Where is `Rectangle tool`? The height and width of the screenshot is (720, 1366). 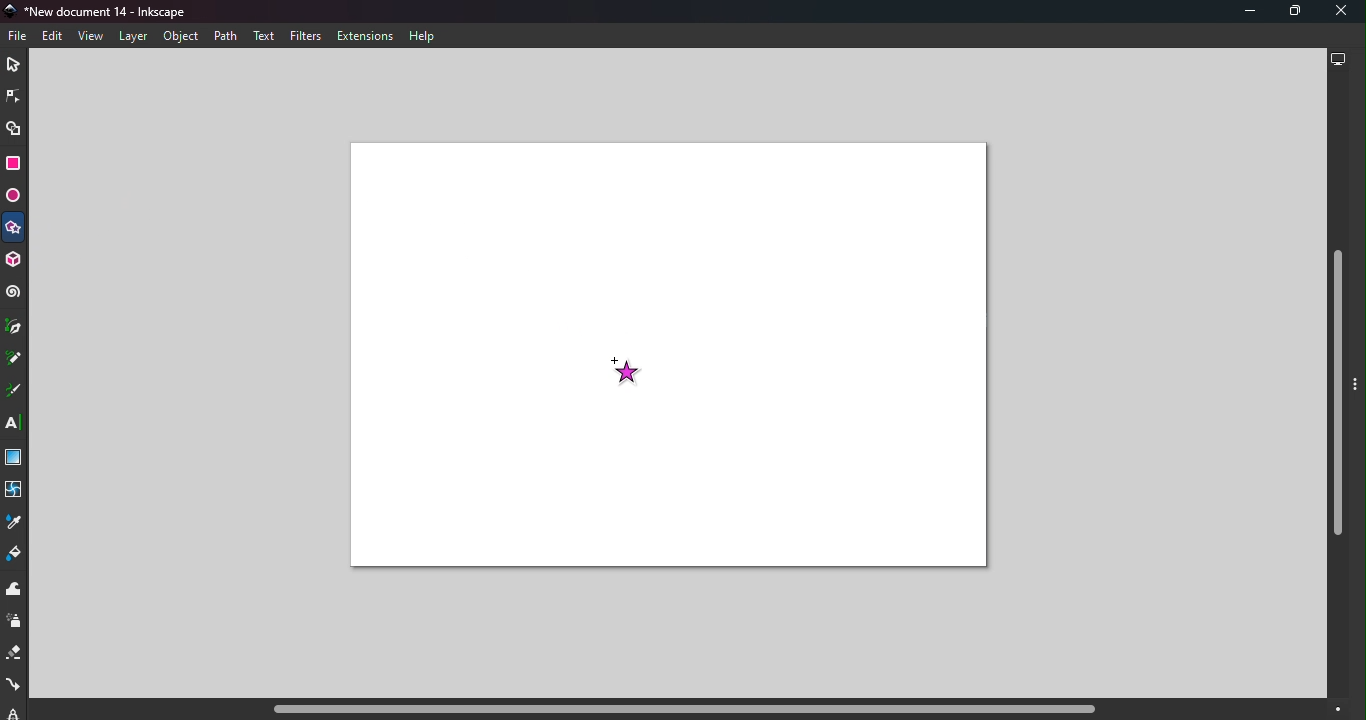 Rectangle tool is located at coordinates (13, 166).